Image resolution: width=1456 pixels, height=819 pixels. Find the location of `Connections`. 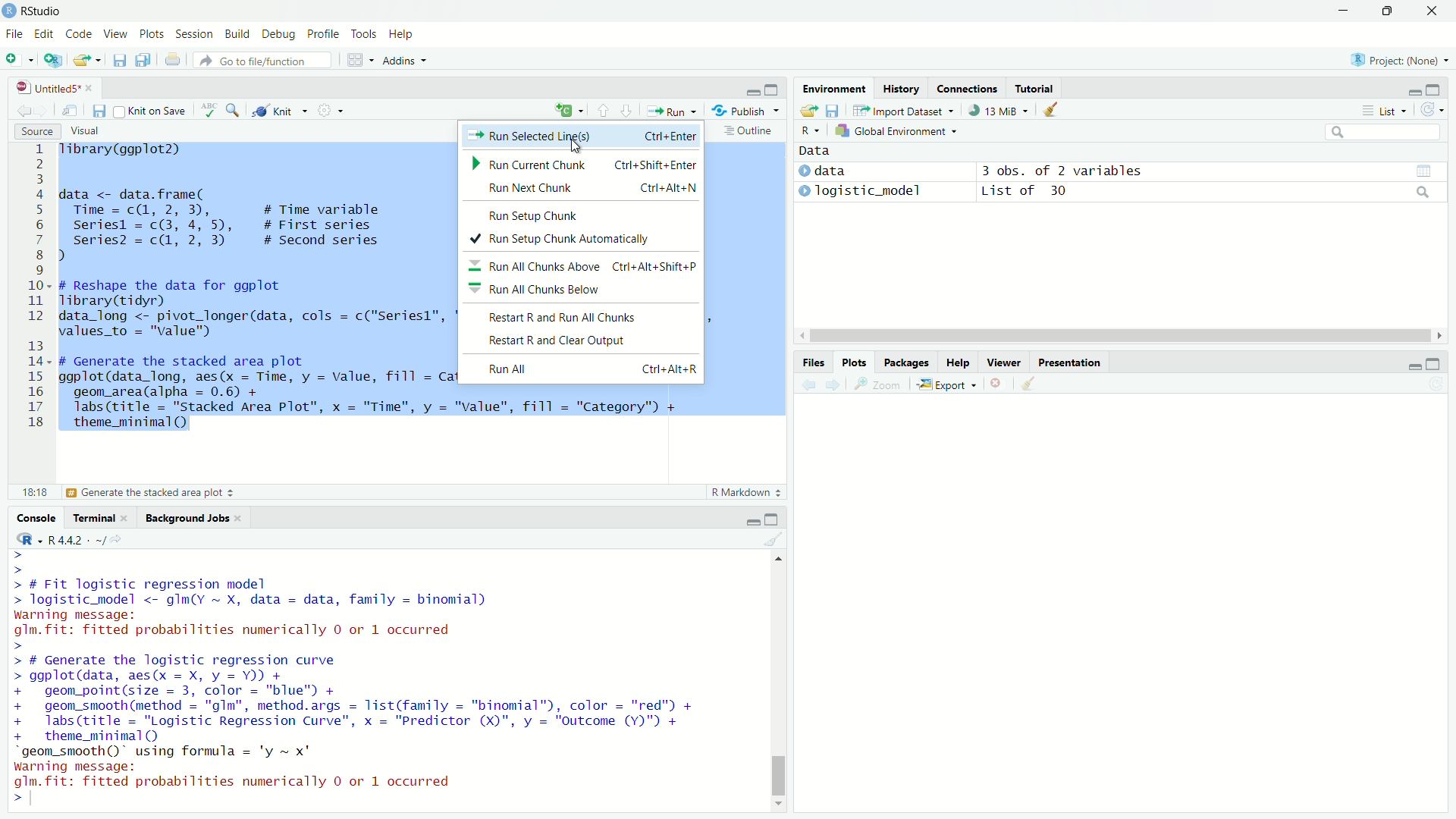

Connections is located at coordinates (968, 88).